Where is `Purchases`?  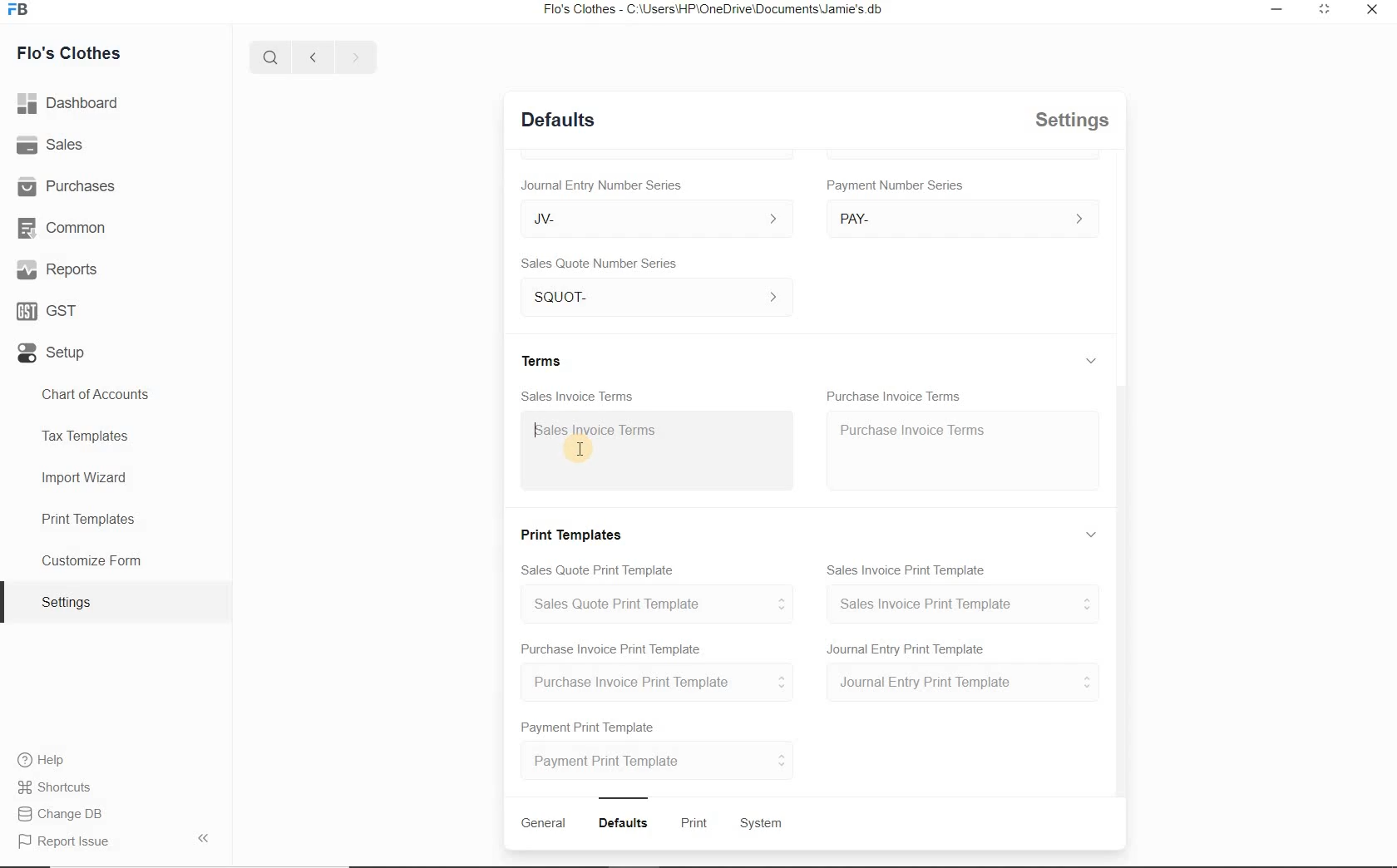
Purchases is located at coordinates (70, 186).